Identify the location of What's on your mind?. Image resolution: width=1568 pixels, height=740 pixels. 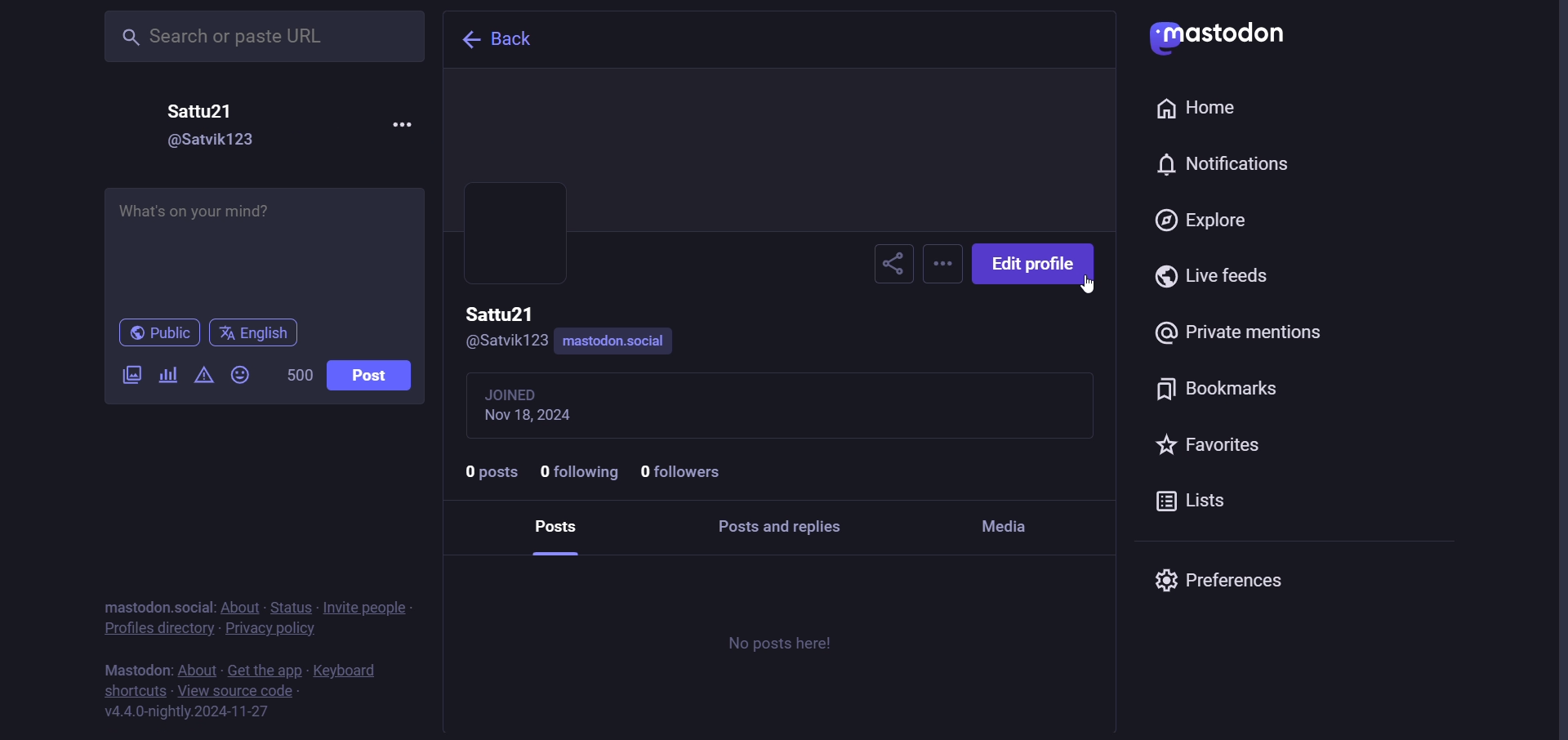
(266, 252).